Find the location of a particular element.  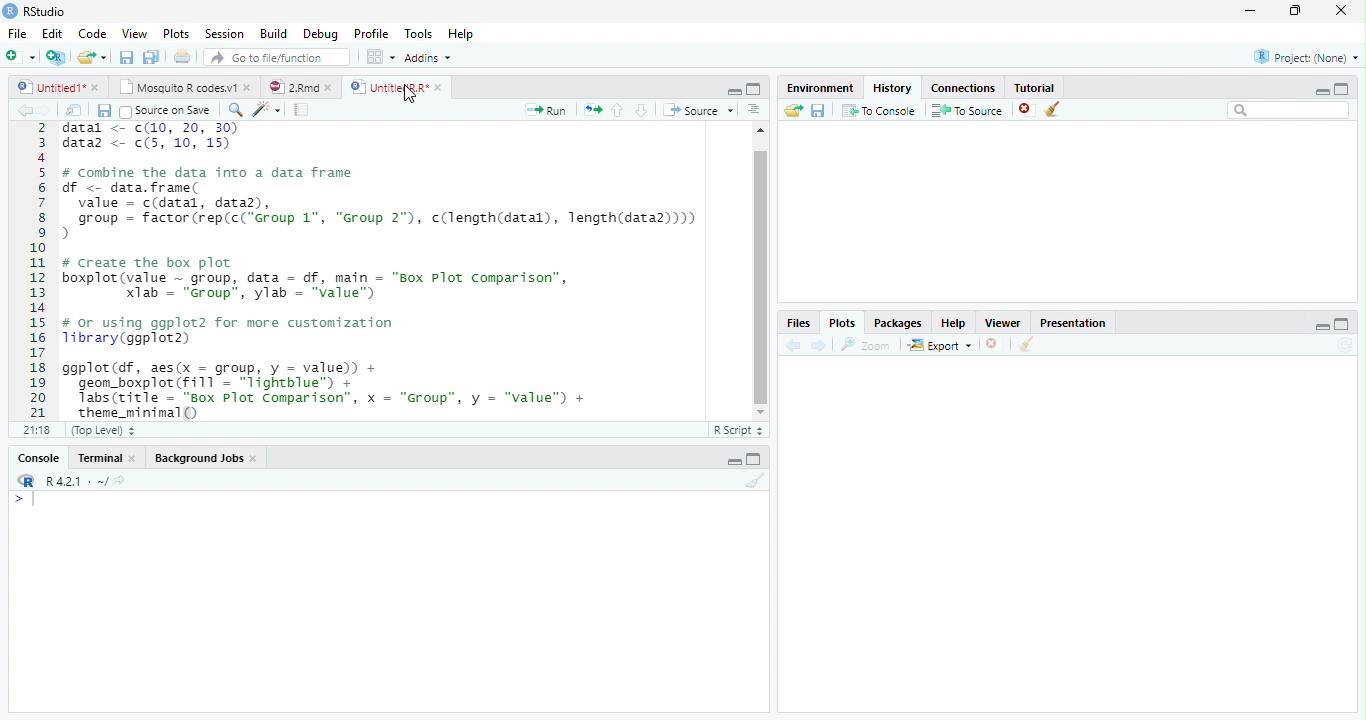

Profile is located at coordinates (371, 33).